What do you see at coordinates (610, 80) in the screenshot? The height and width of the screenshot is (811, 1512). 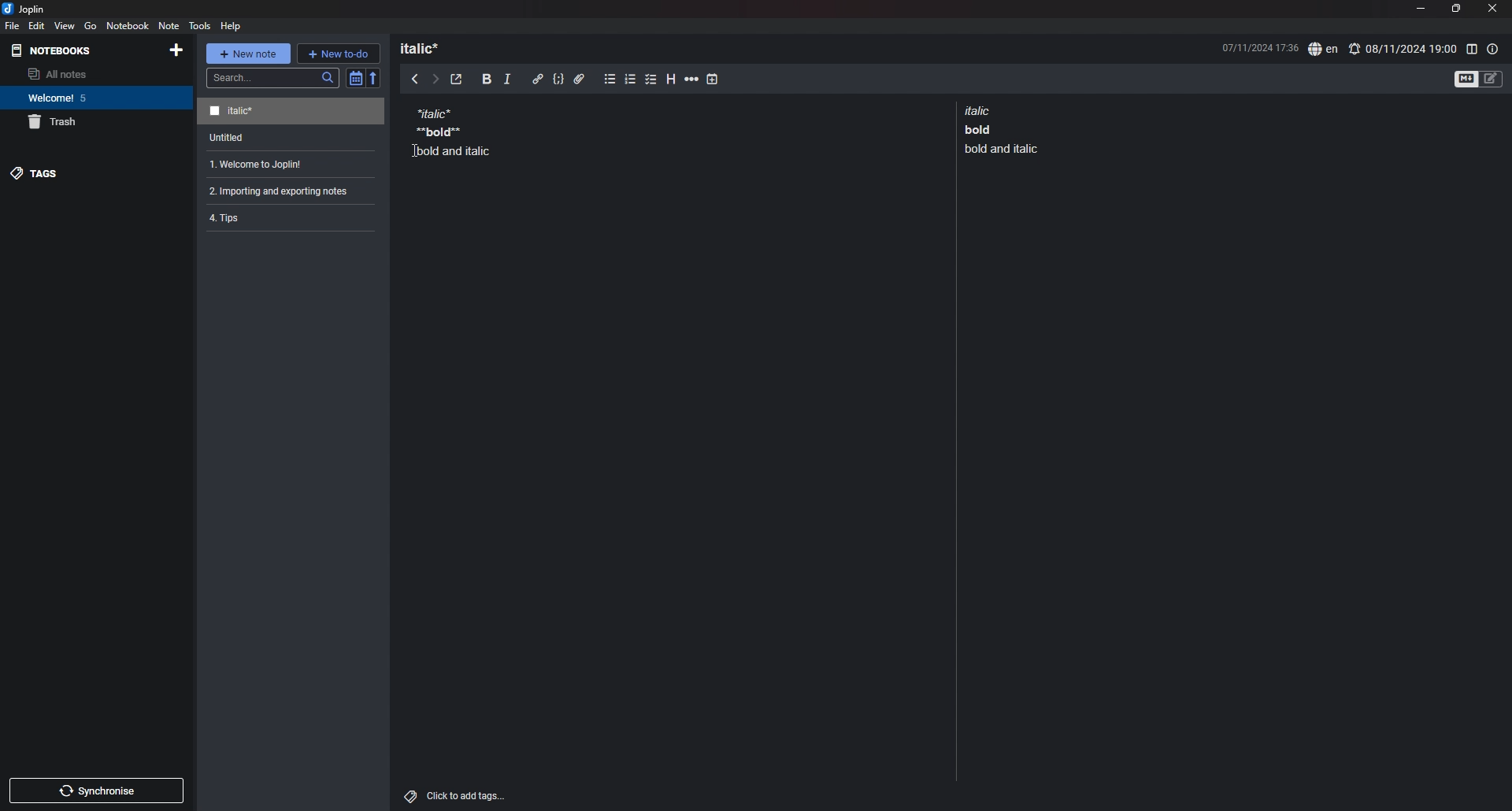 I see `bullet list` at bounding box center [610, 80].